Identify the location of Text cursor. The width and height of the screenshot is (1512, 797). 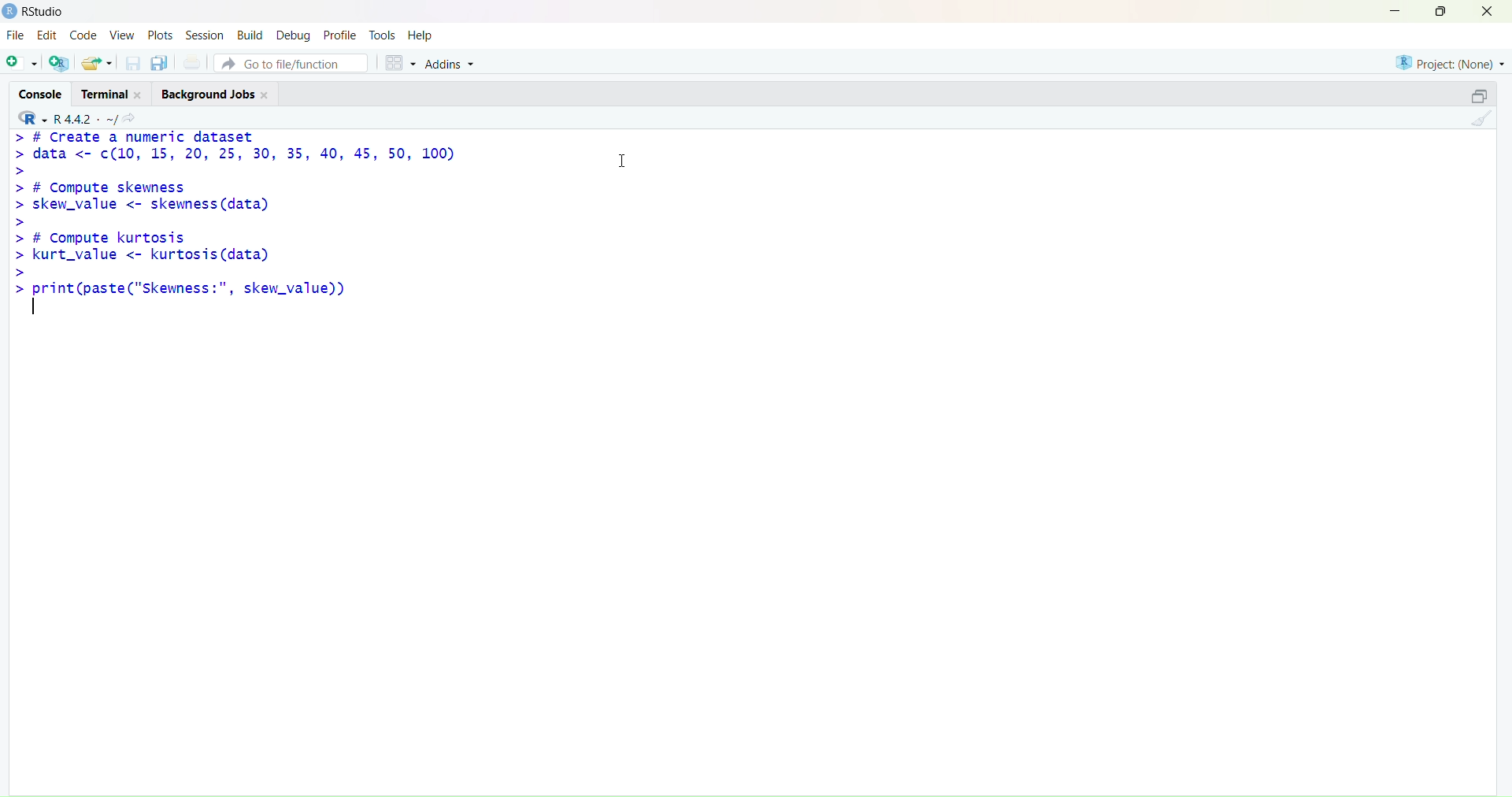
(626, 159).